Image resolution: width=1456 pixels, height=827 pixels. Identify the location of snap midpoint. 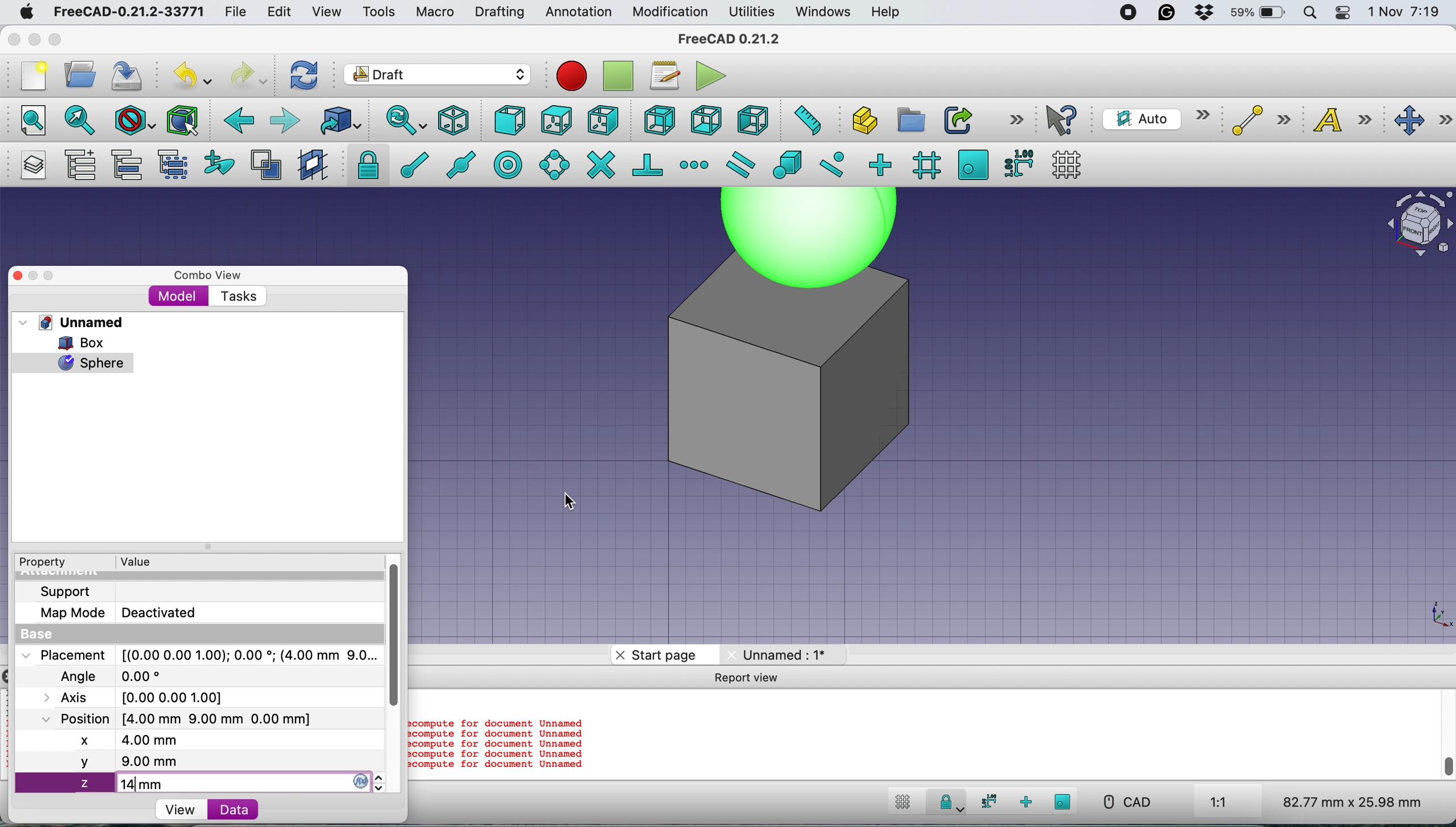
(457, 164).